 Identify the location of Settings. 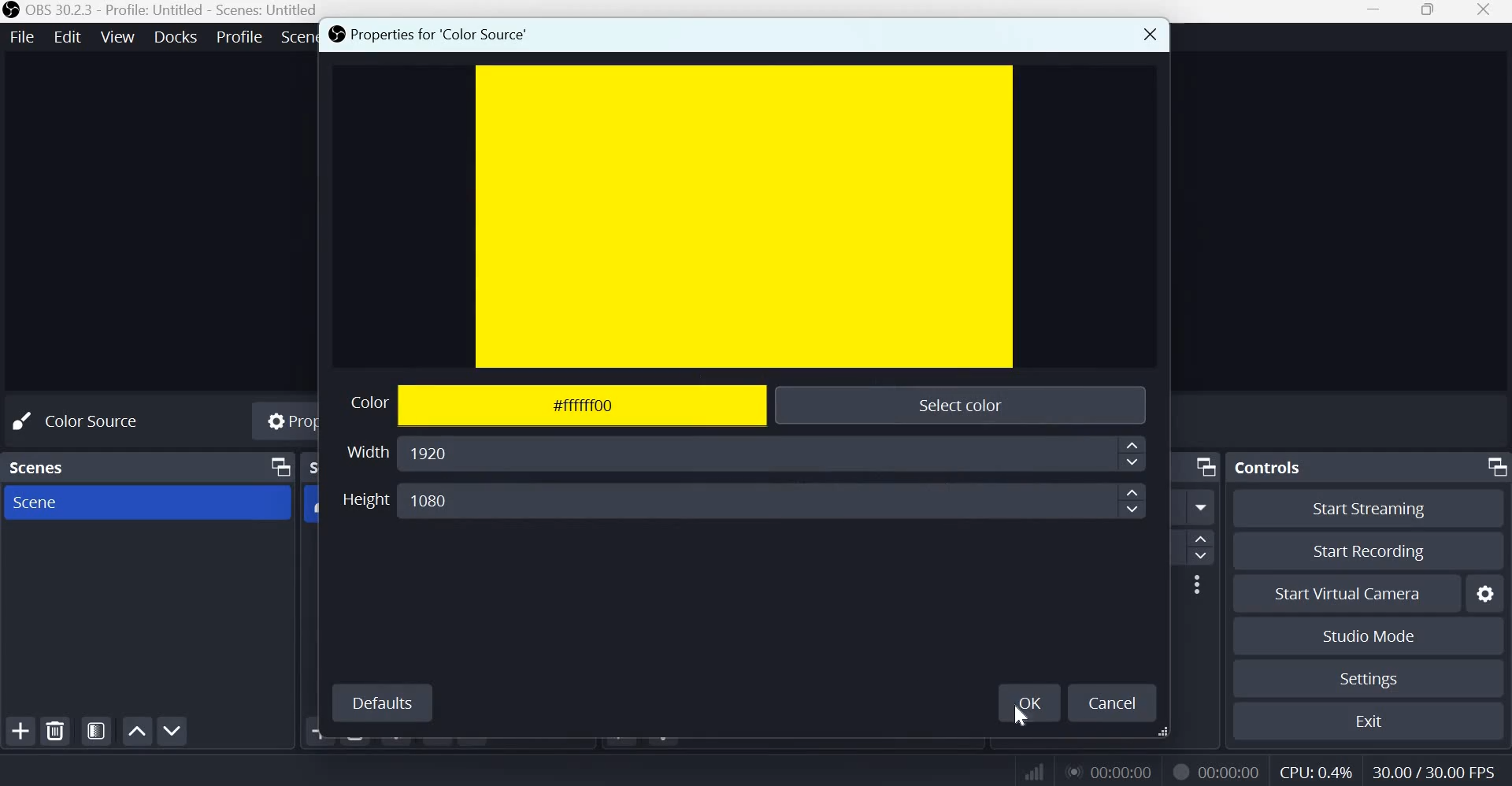
(1367, 679).